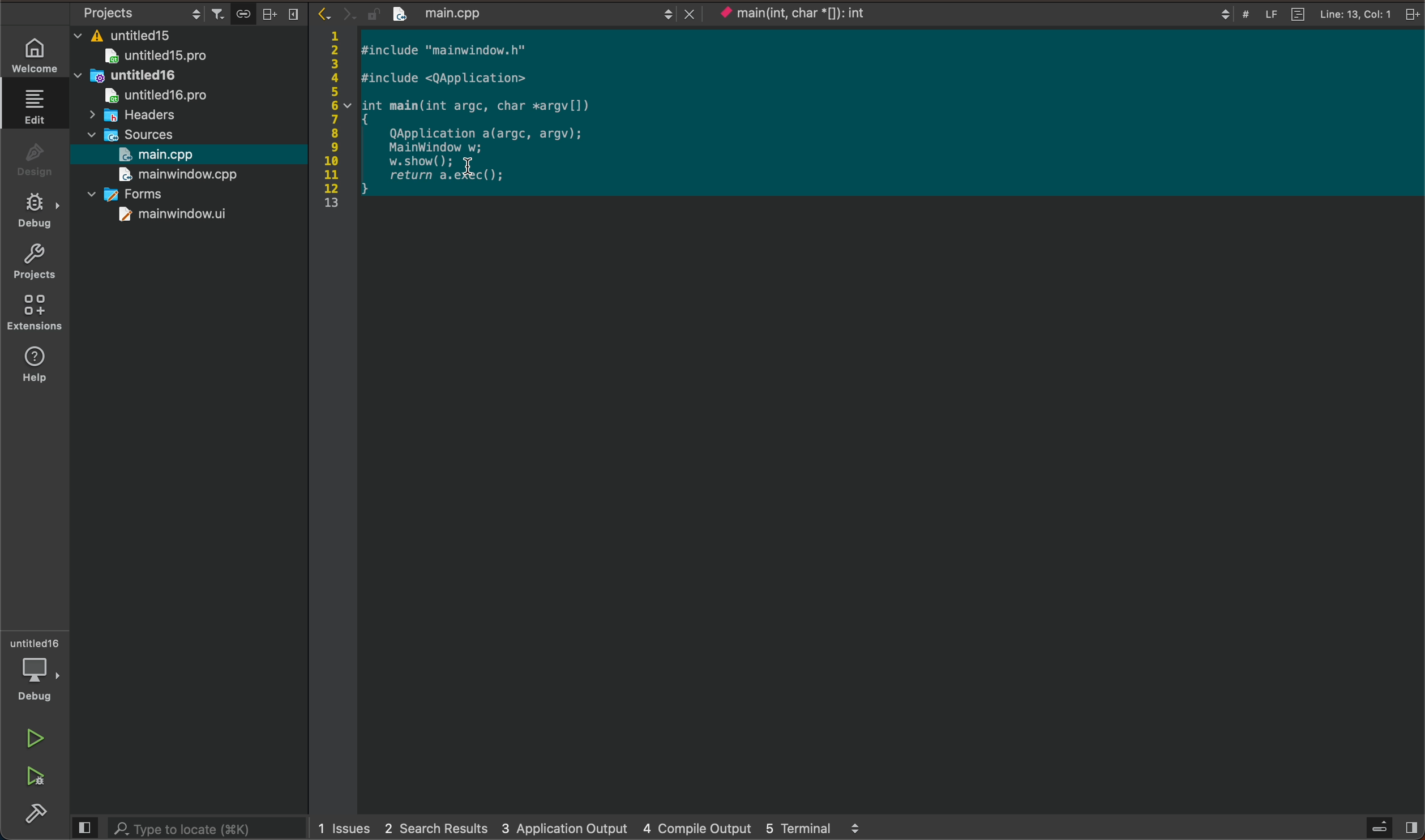 This screenshot has width=1425, height=840. Describe the element at coordinates (144, 196) in the screenshot. I see `forms` at that location.